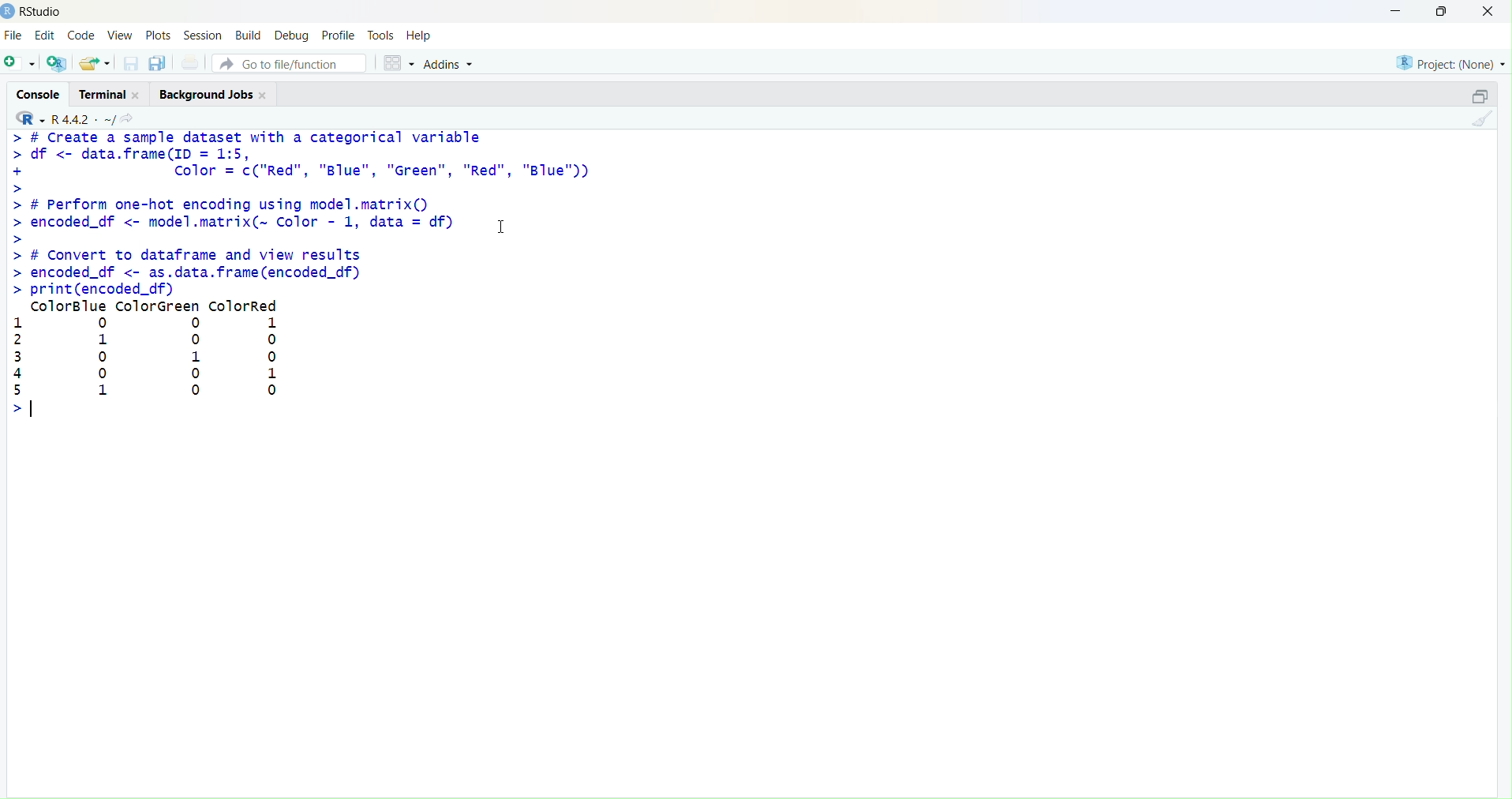 The image size is (1512, 799). What do you see at coordinates (300, 275) in the screenshot?
I see `> # Create a sample dataset with a categorical variable
> df <- data.frame(ID = 1:5,
+ color = c("Red", "Blue", "Green", "Red", "Blue"))
>
> # Perform one-hot encoding using model.matrix()
> encoded_df <- model.matrix(~ Color - 1, data = df) I
>
> # Convert to dataframe and view results
> encoded_df <- as.data.frame(encoded_df)
> print(encoded_df)
ColorBlue ColorGreen ColorRed
1 [4] [4] 1
2 1 0 [4]
3 [4] 1 [4]
4 [4] [4] 1
5 1 [4] [4]
>` at bounding box center [300, 275].